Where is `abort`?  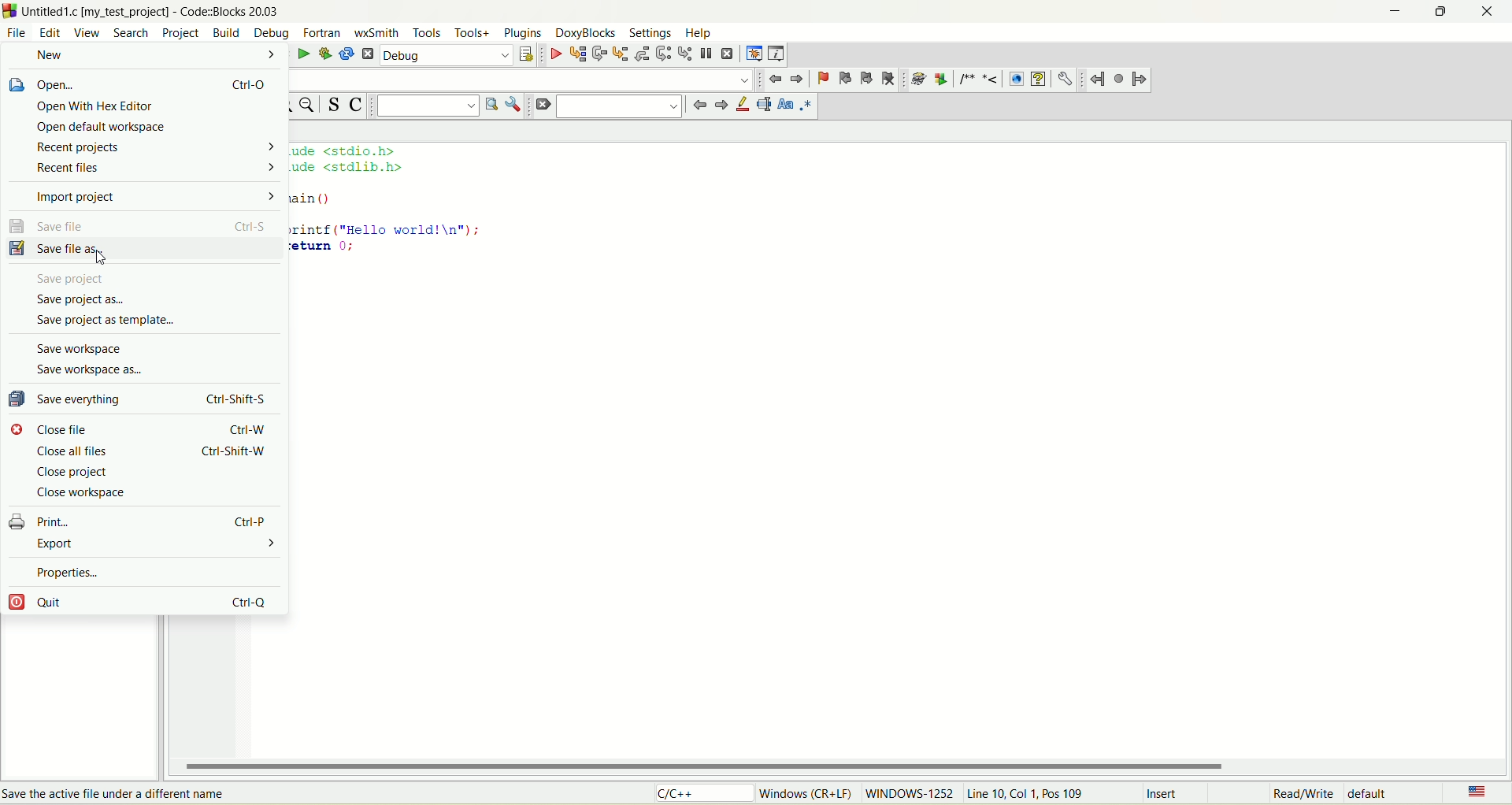 abort is located at coordinates (369, 57).